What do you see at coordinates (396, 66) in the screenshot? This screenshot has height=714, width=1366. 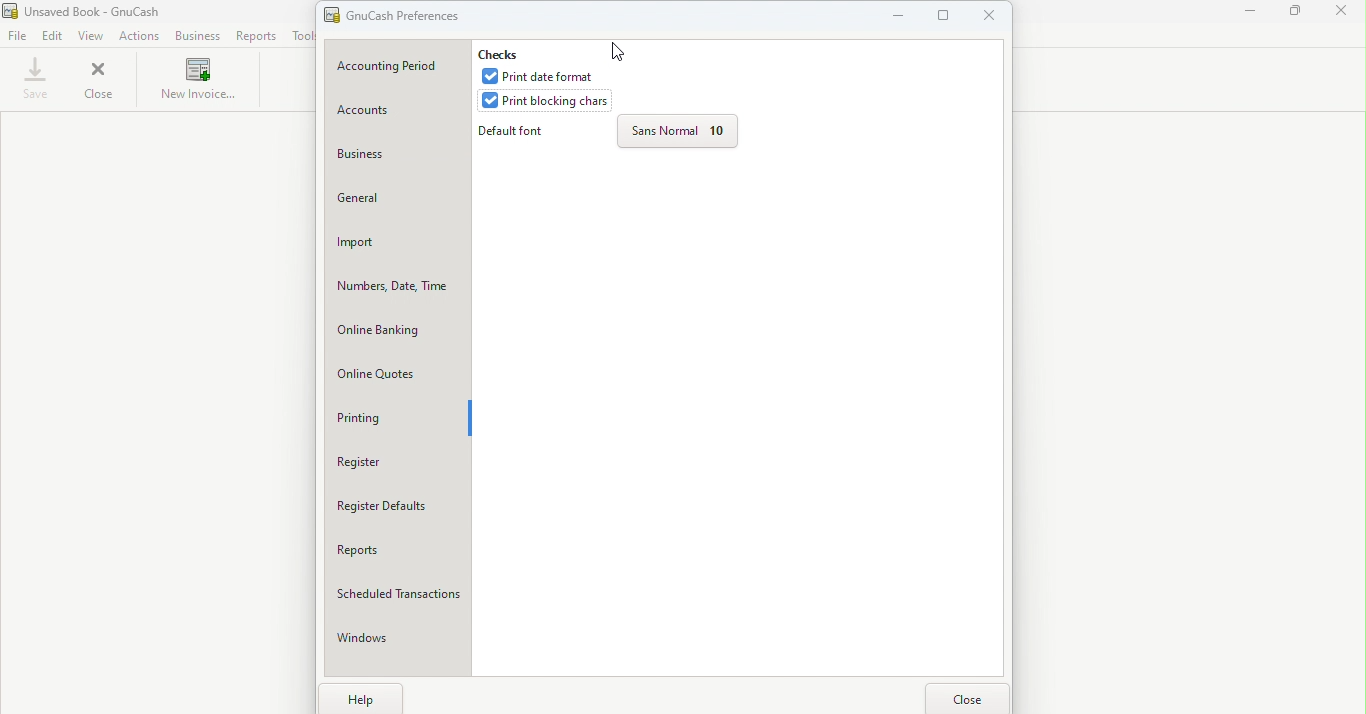 I see `Accounting period` at bounding box center [396, 66].